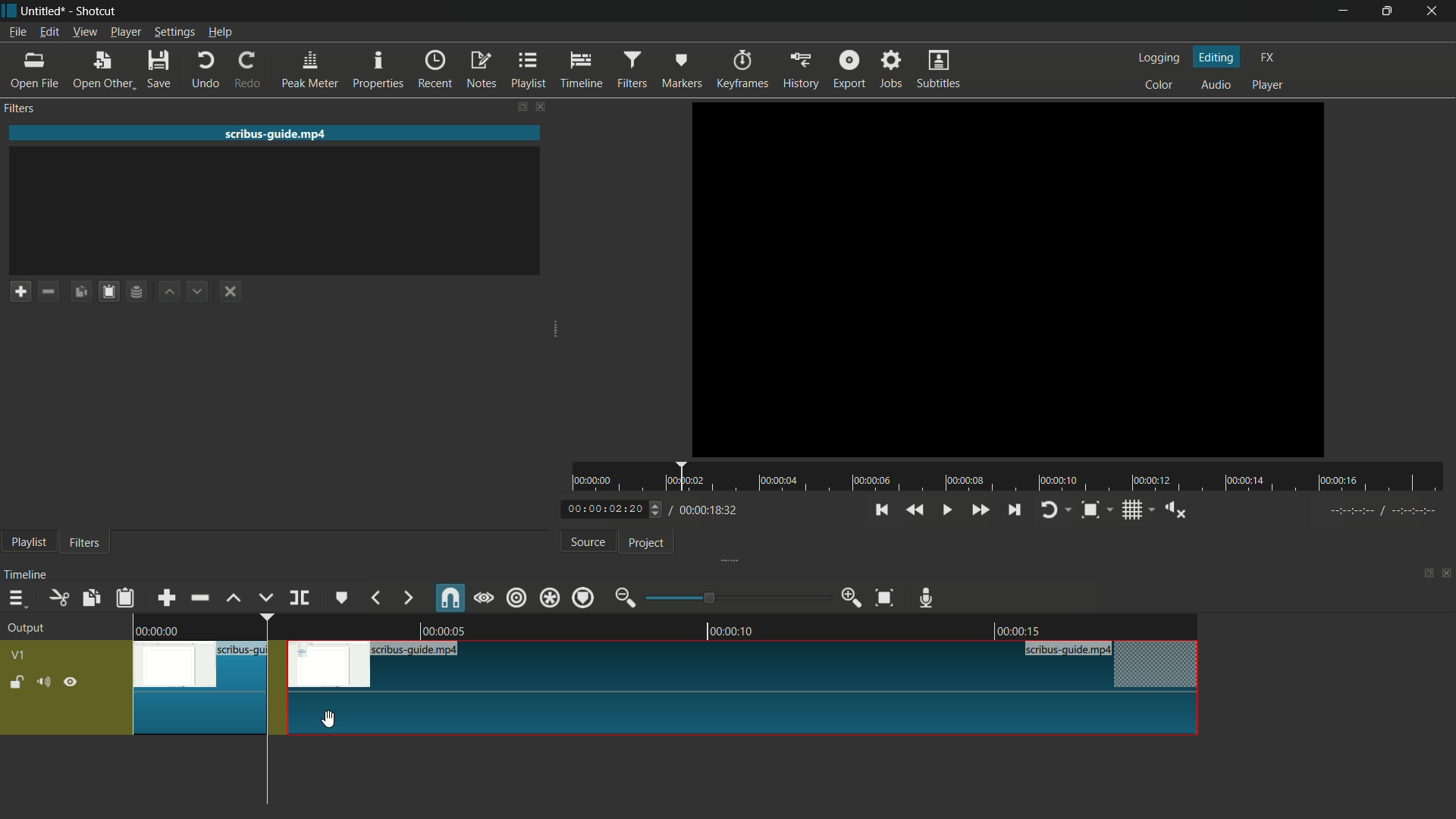 This screenshot has width=1456, height=819. I want to click on move filter down, so click(199, 291).